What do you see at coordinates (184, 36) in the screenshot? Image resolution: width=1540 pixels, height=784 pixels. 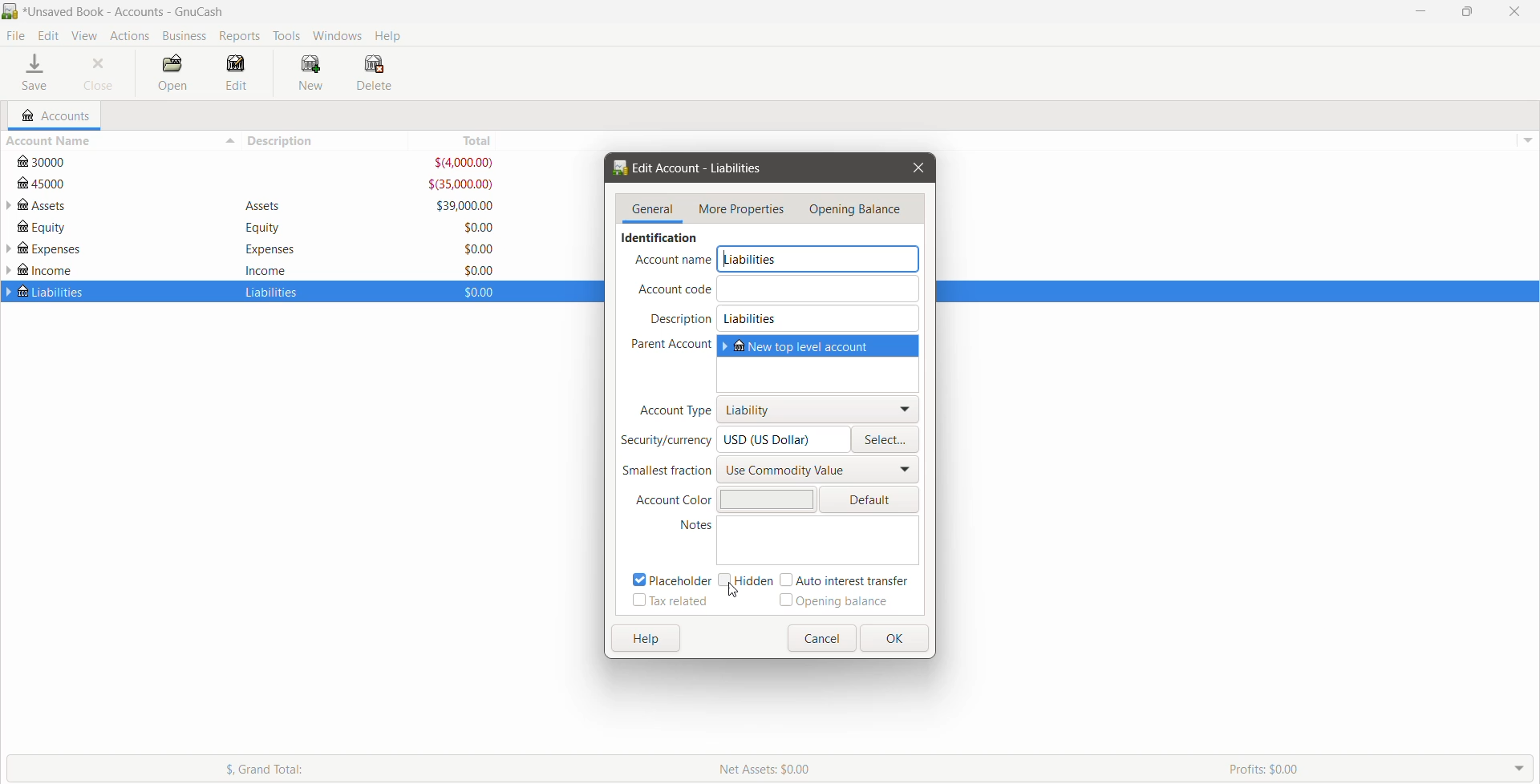 I see `Business` at bounding box center [184, 36].